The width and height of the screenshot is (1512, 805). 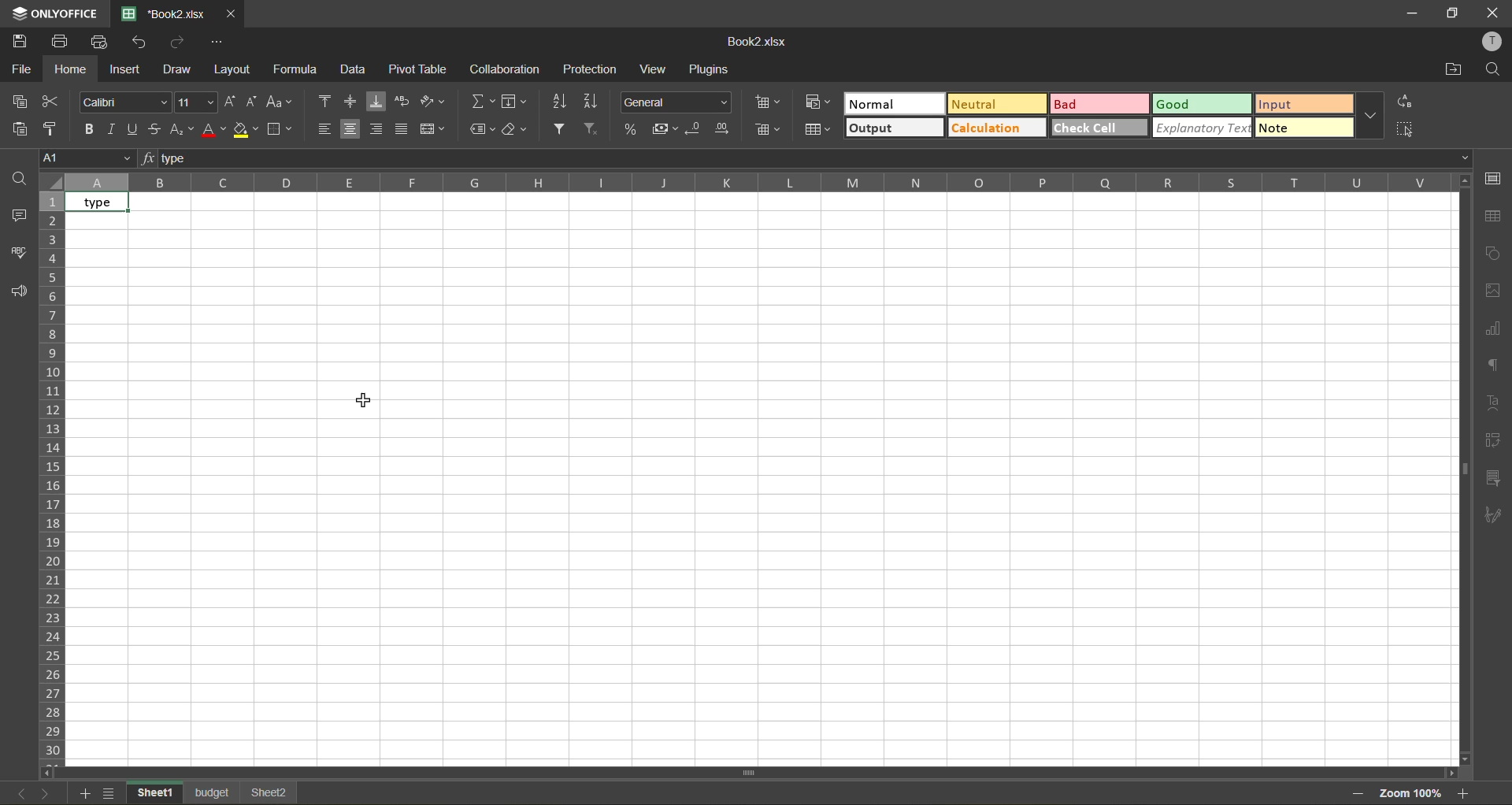 What do you see at coordinates (222, 43) in the screenshot?
I see `customize quick access toolbar` at bounding box center [222, 43].